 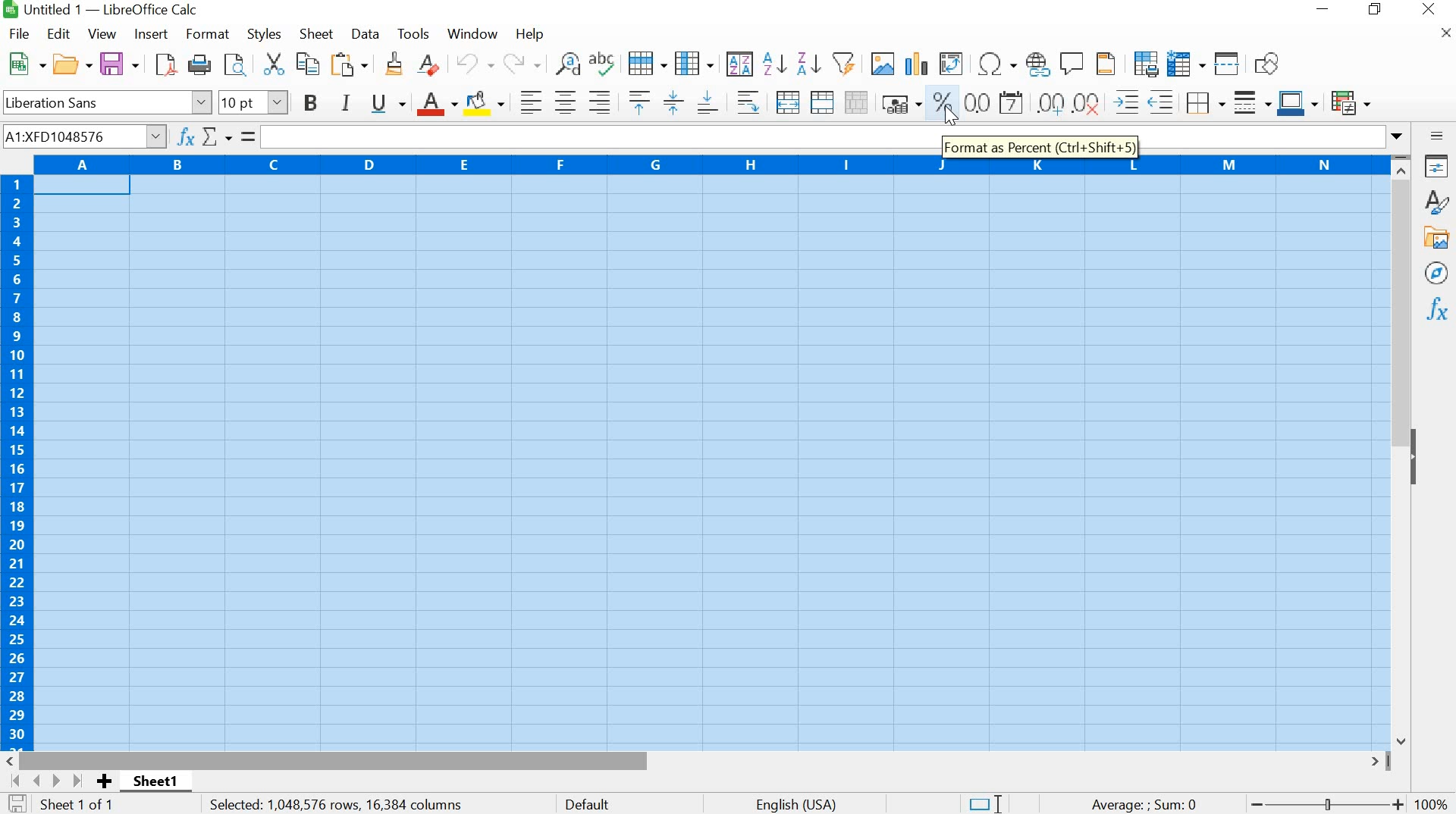 I want to click on Clear Direct Formatting, so click(x=428, y=64).